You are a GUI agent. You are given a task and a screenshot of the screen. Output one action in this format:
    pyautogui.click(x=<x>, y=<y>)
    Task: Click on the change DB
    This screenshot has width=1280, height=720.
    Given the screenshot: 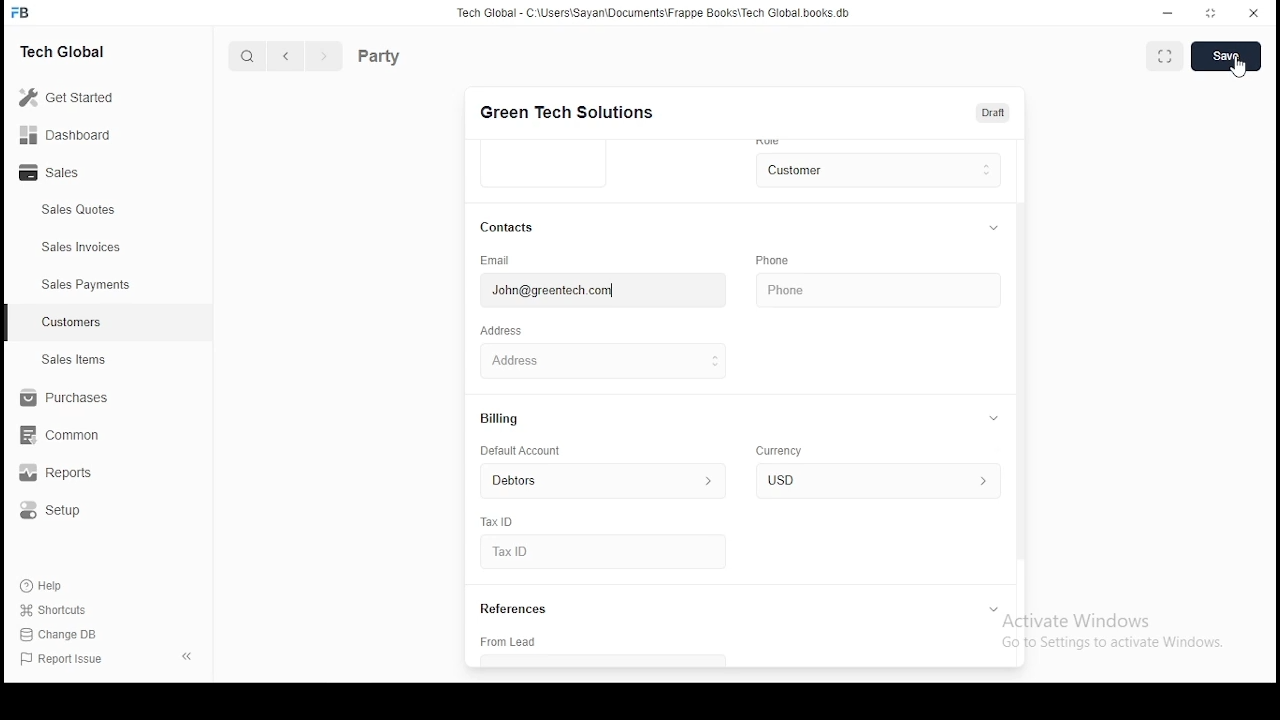 What is the action you would take?
    pyautogui.click(x=61, y=633)
    